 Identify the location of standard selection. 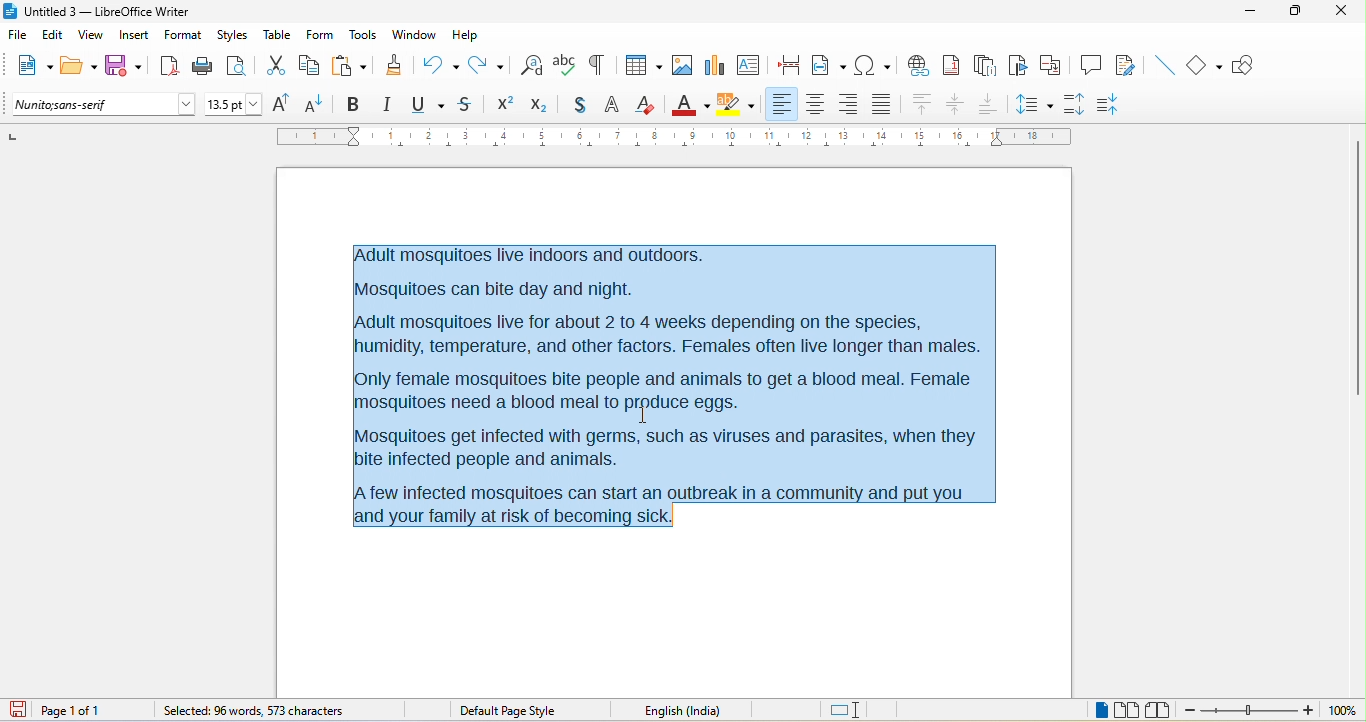
(846, 709).